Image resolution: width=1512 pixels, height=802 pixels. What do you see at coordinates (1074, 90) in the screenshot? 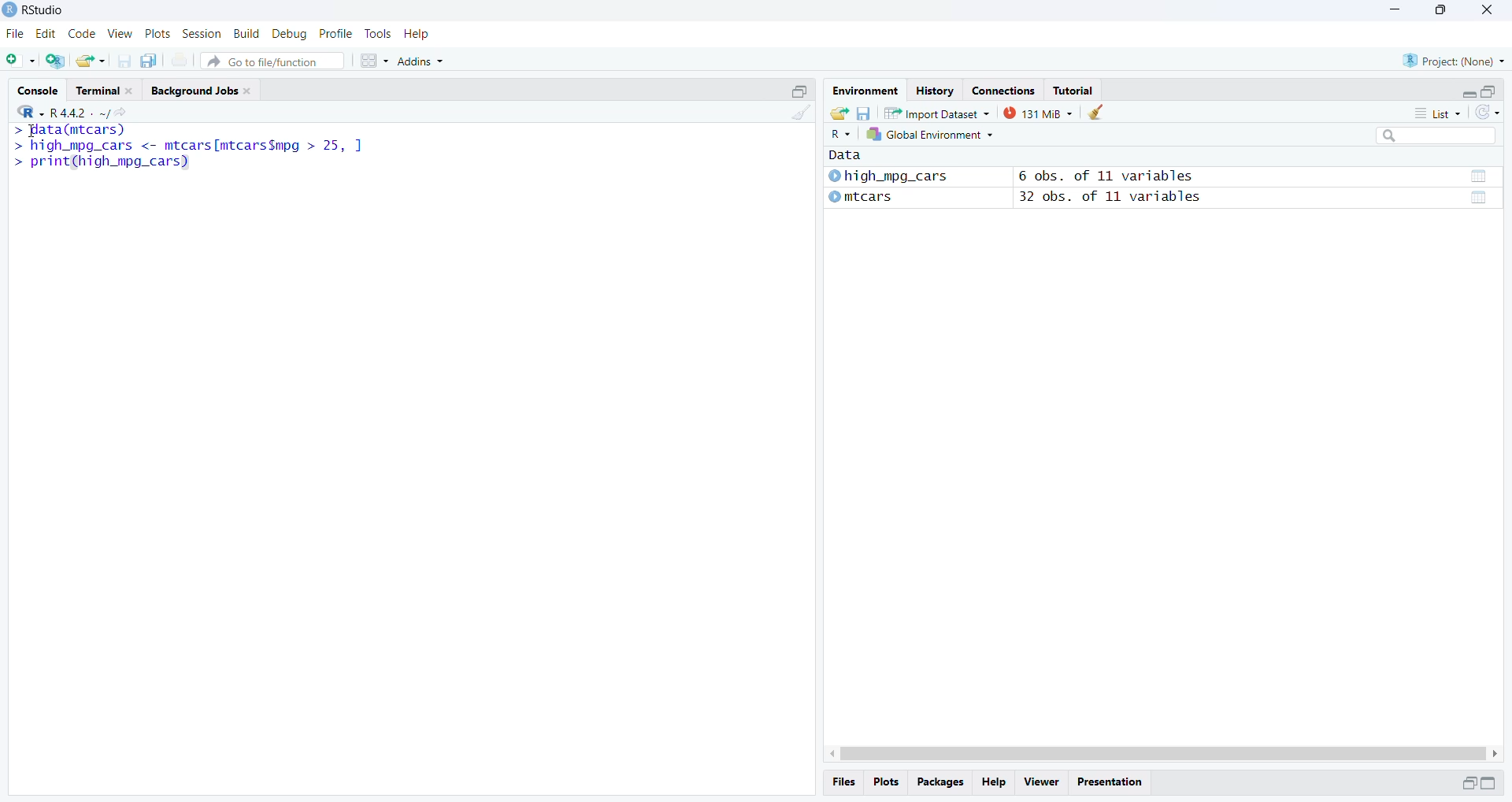
I see `Tutorial` at bounding box center [1074, 90].